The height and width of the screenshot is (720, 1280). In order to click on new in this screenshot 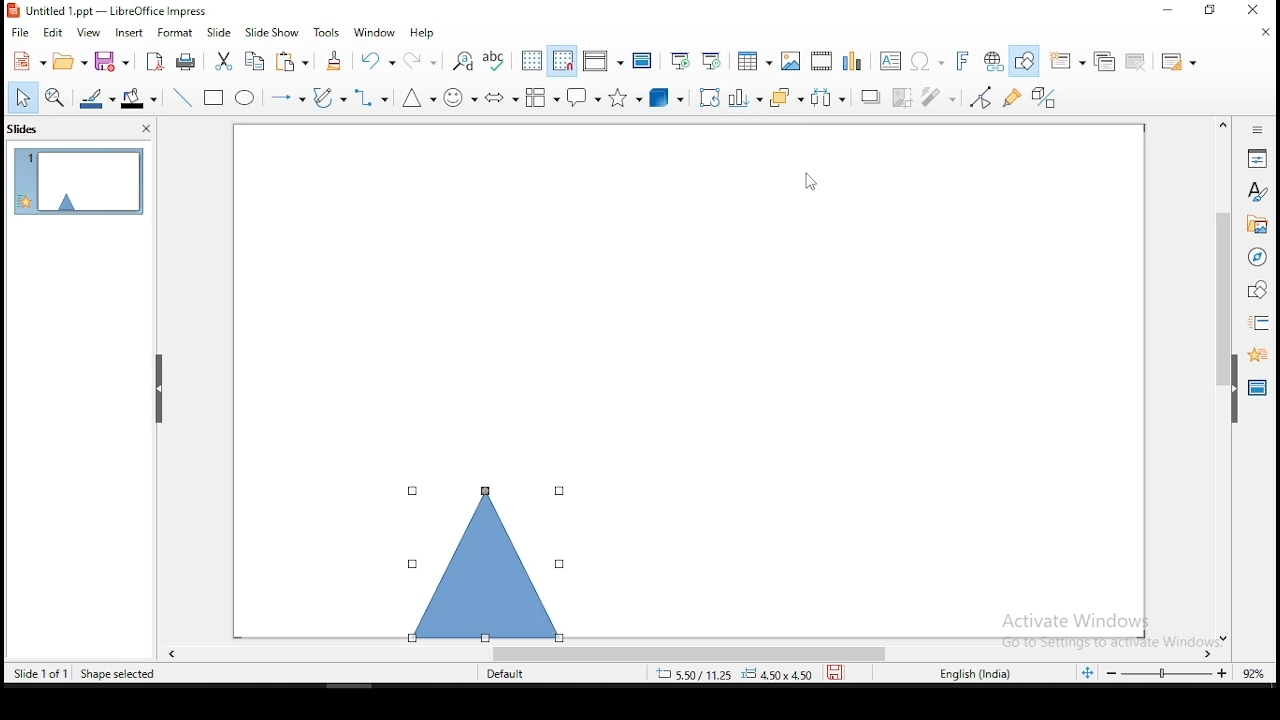, I will do `click(28, 61)`.